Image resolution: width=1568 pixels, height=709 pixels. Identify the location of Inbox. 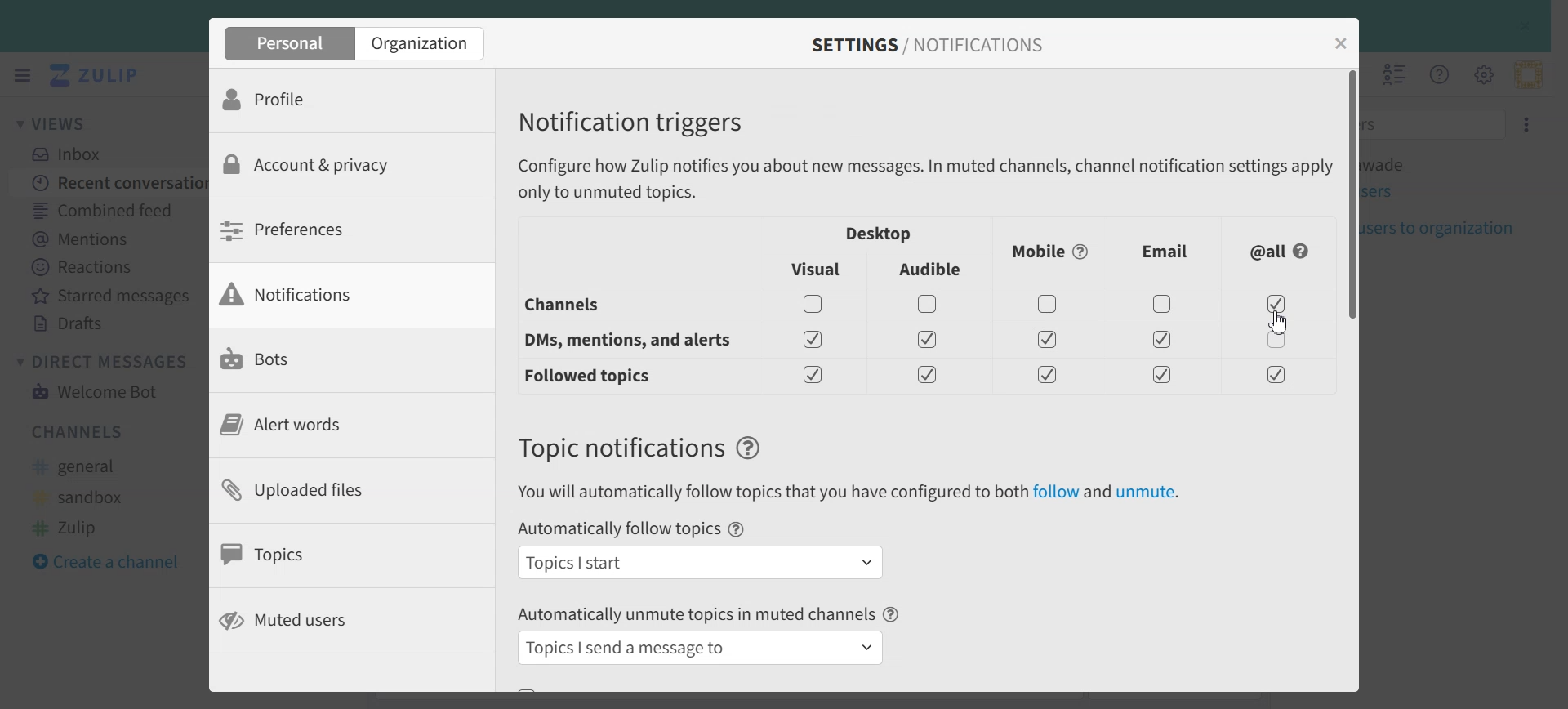
(74, 154).